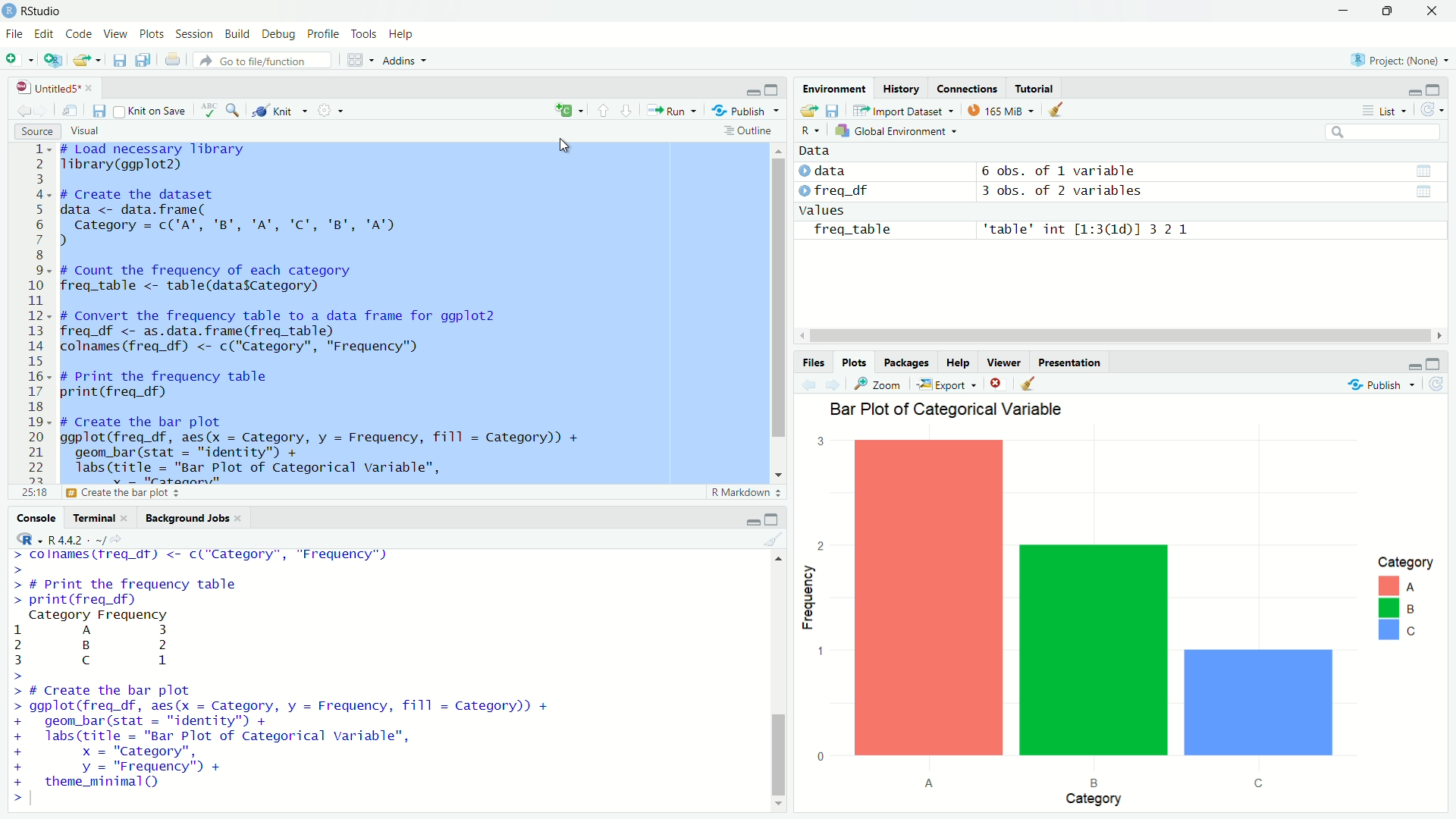  What do you see at coordinates (235, 35) in the screenshot?
I see `build` at bounding box center [235, 35].